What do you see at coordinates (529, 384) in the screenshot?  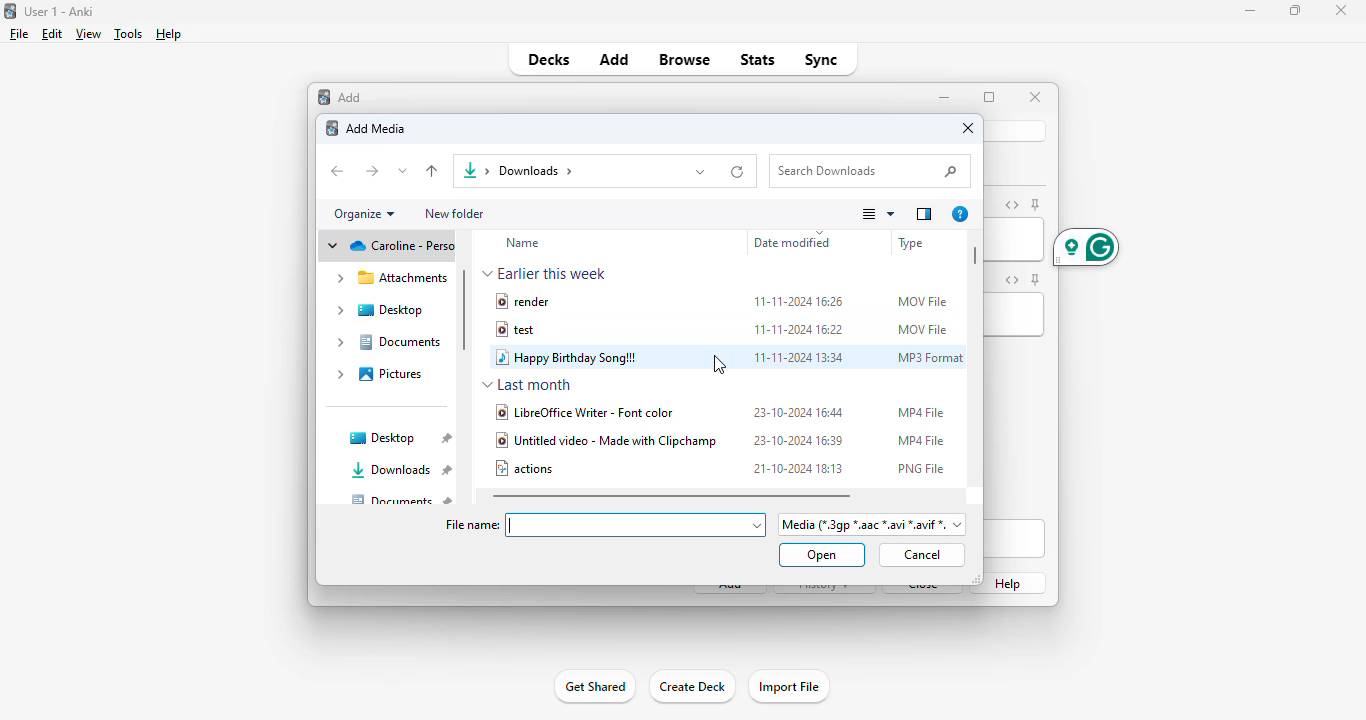 I see `last month` at bounding box center [529, 384].